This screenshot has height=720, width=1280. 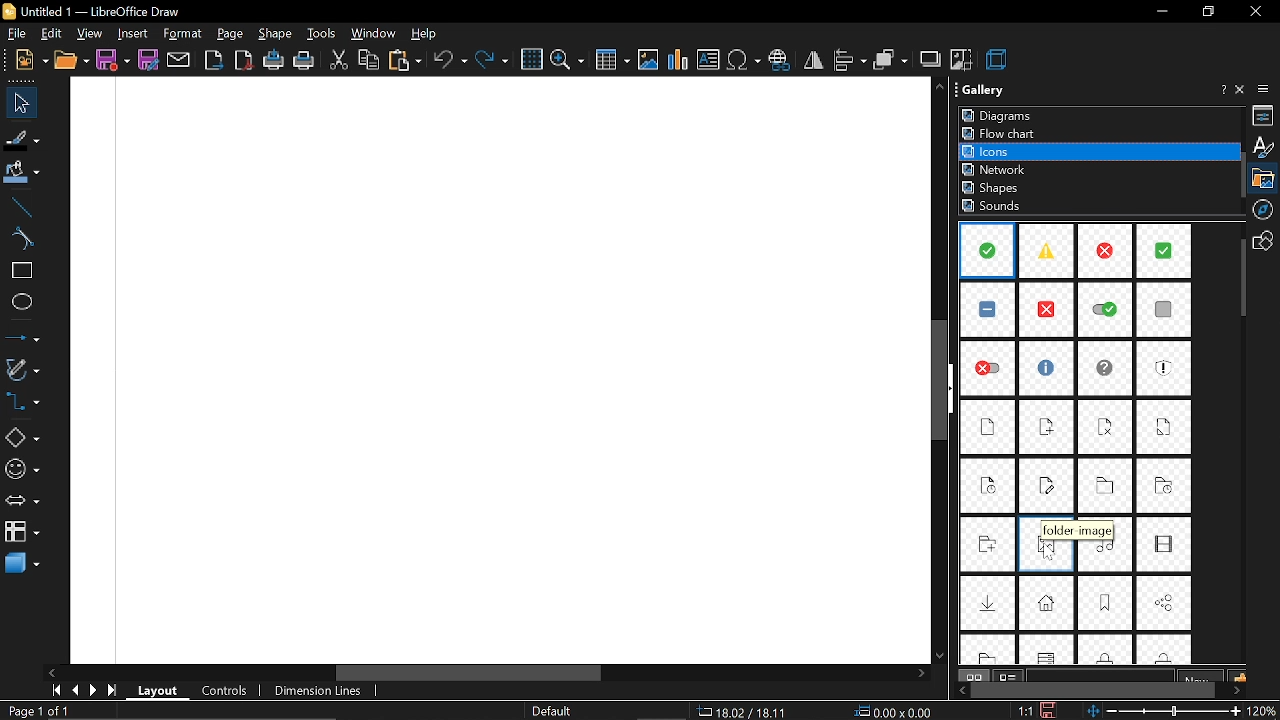 What do you see at coordinates (1242, 90) in the screenshot?
I see `close` at bounding box center [1242, 90].